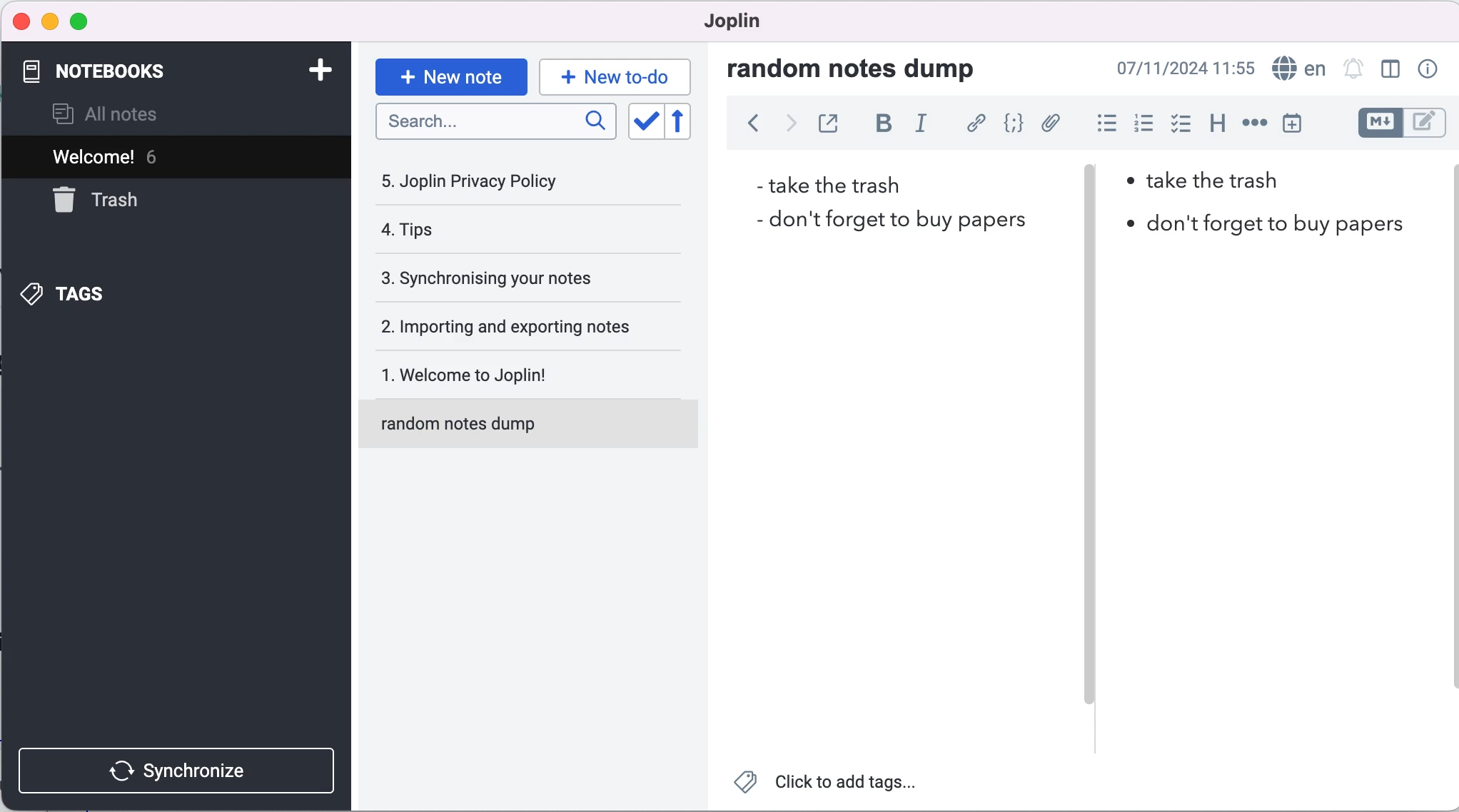 The width and height of the screenshot is (1459, 812). What do you see at coordinates (486, 181) in the screenshot?
I see `joplin privacy policy` at bounding box center [486, 181].